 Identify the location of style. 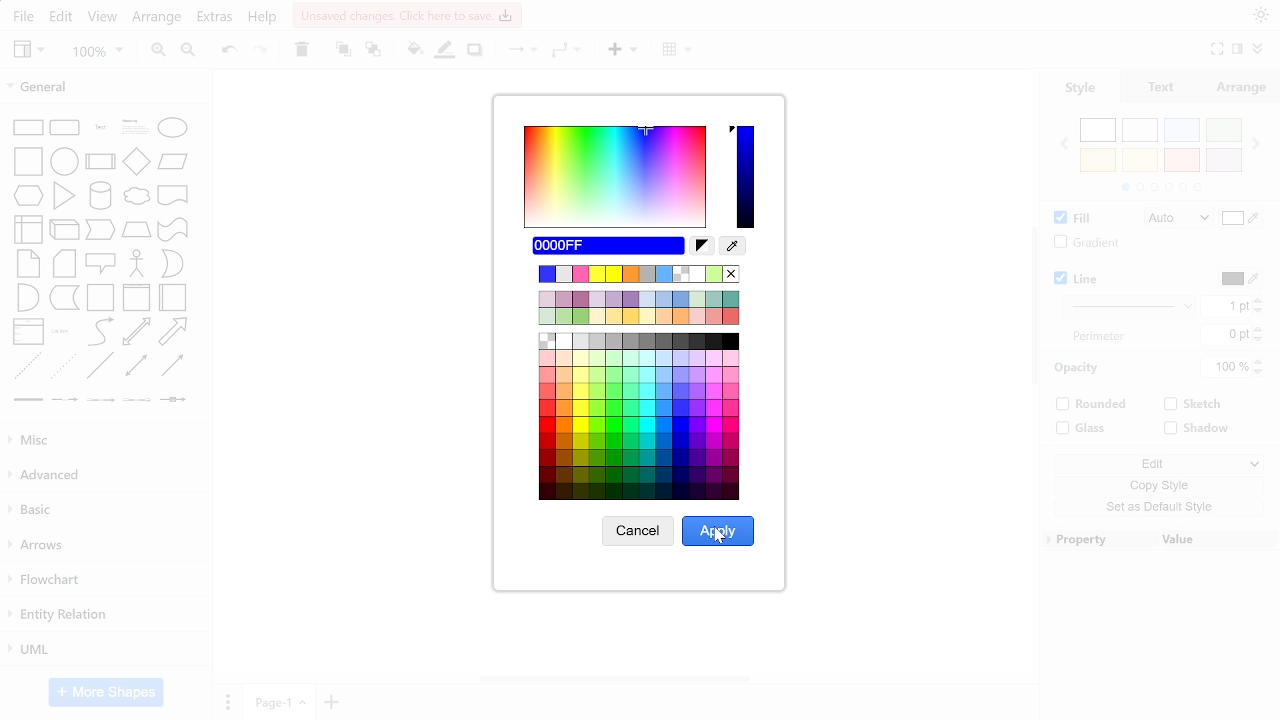
(1080, 88).